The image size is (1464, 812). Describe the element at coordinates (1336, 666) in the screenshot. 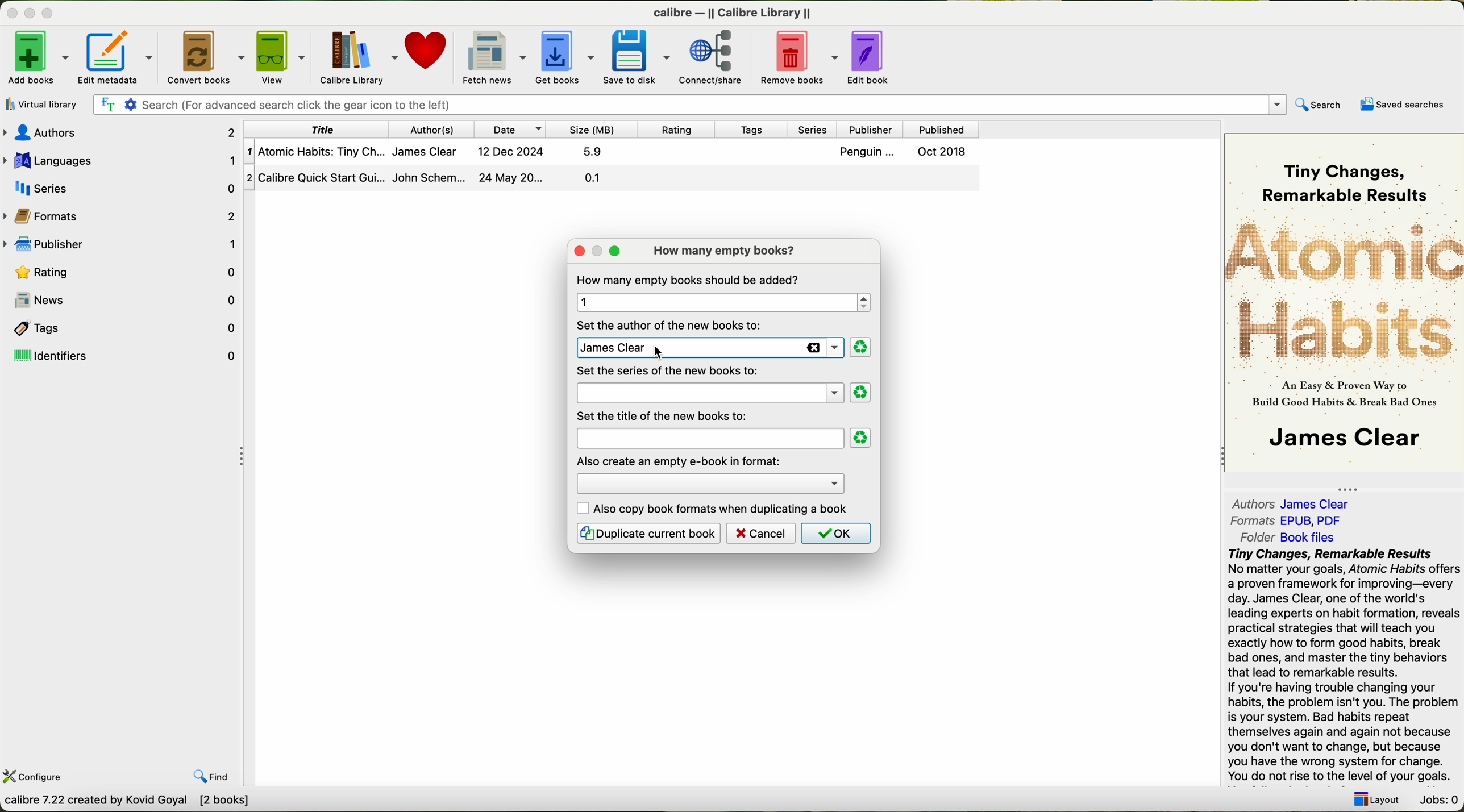

I see `try changes remarkable results no matter your goals ,Atomic Habits offers a proven framework for improvity every day ,James Clear one of the word's leading expert on habit formation reveals practice startegies that will teach you howto form break bad ones and improve tiny beahbviors turn in ramarkable results.you do not rise to the level of your goals.` at that location.